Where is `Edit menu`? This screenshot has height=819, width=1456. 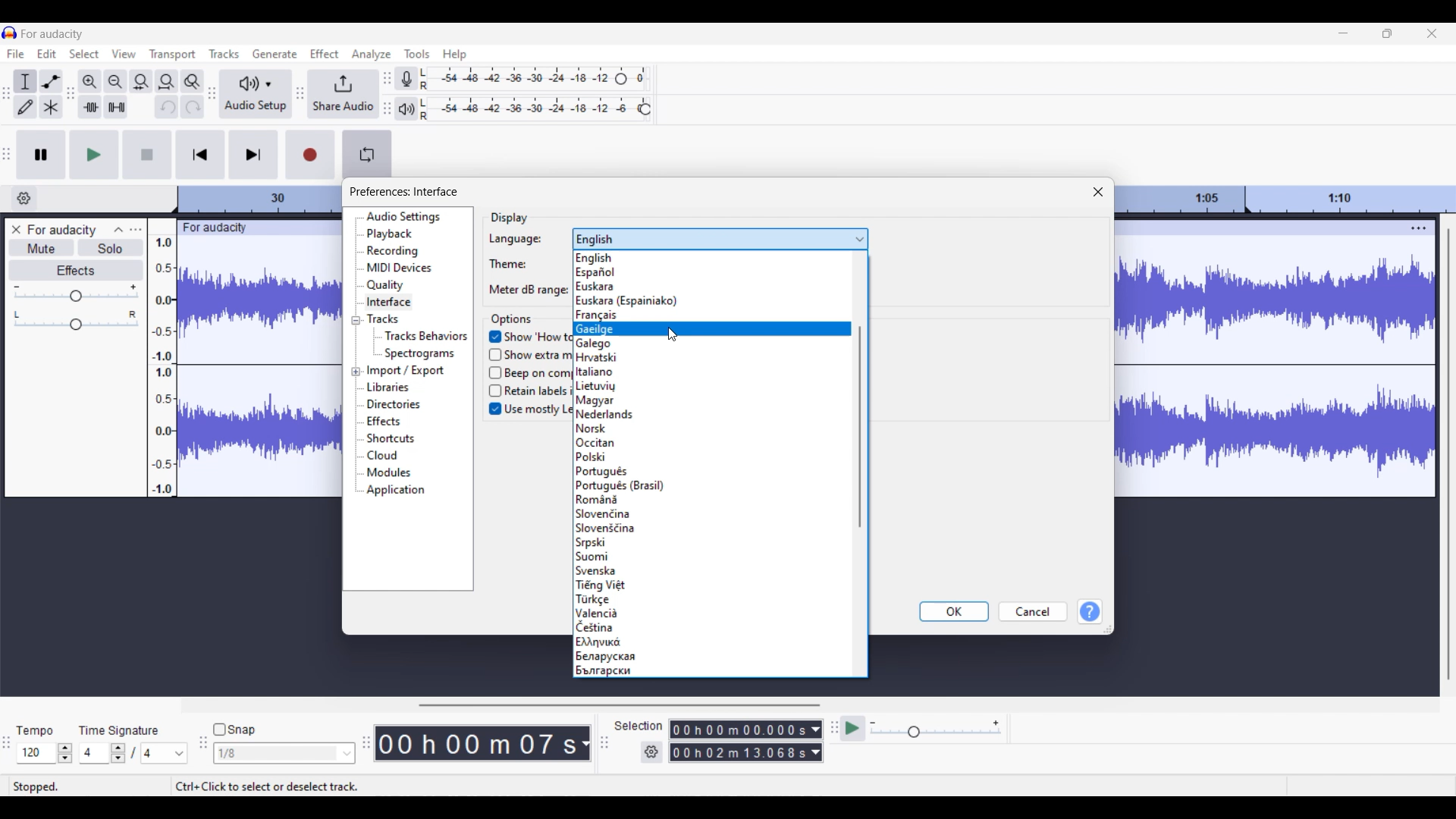
Edit menu is located at coordinates (46, 53).